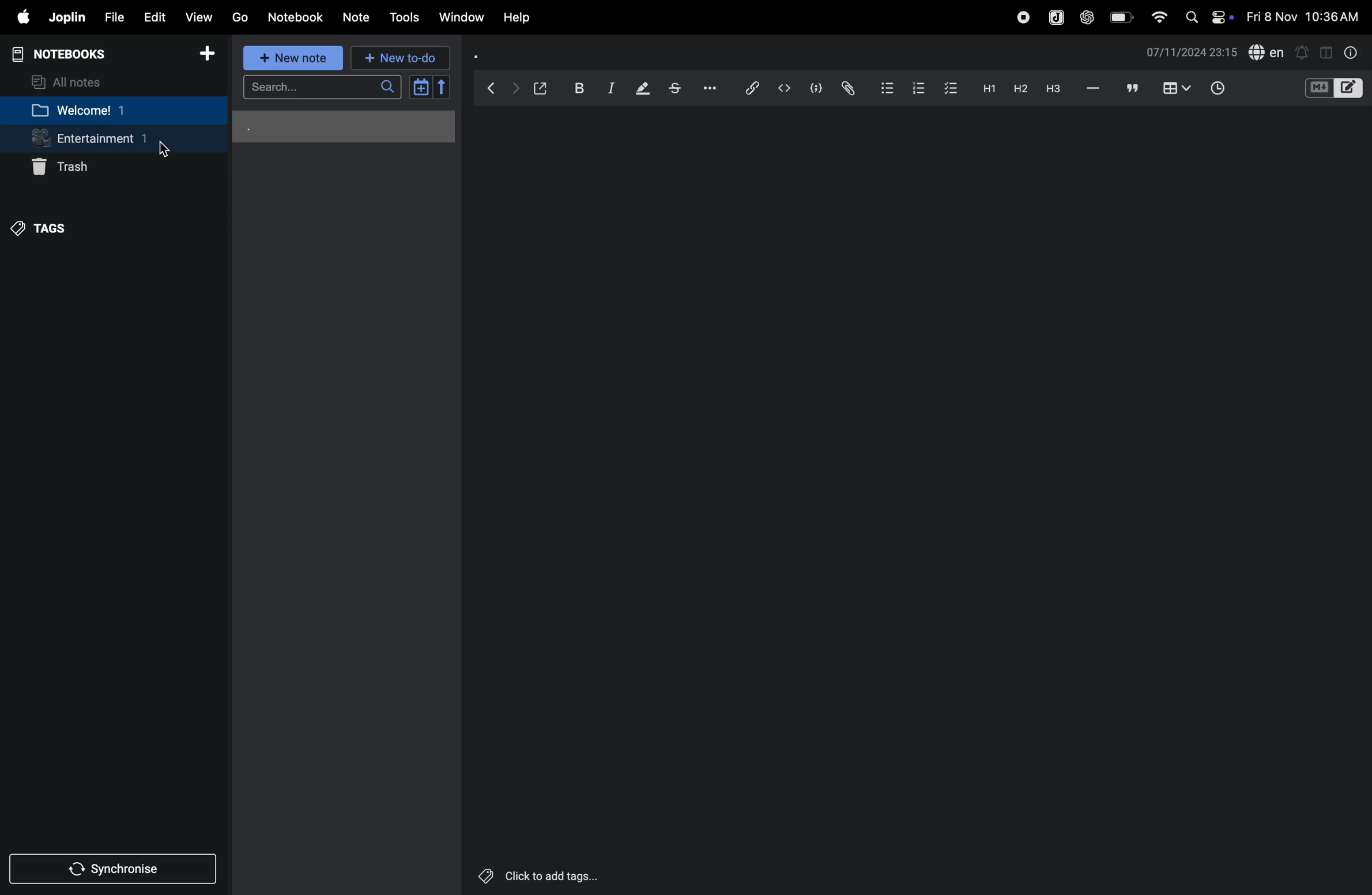  Describe the element at coordinates (100, 110) in the screenshot. I see `welcome ` at that location.